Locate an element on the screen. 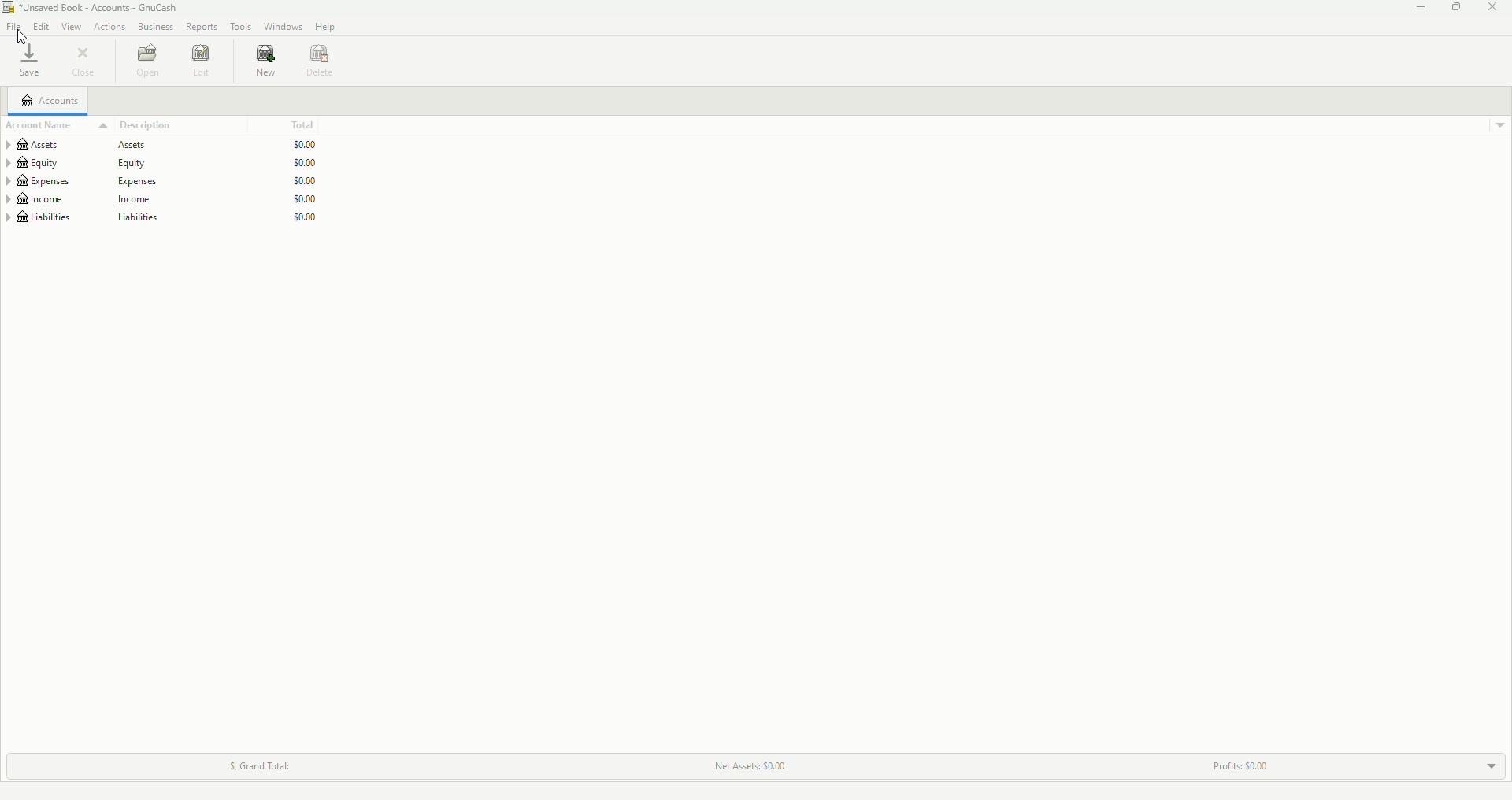 Image resolution: width=1512 pixels, height=800 pixels. Total is located at coordinates (306, 122).